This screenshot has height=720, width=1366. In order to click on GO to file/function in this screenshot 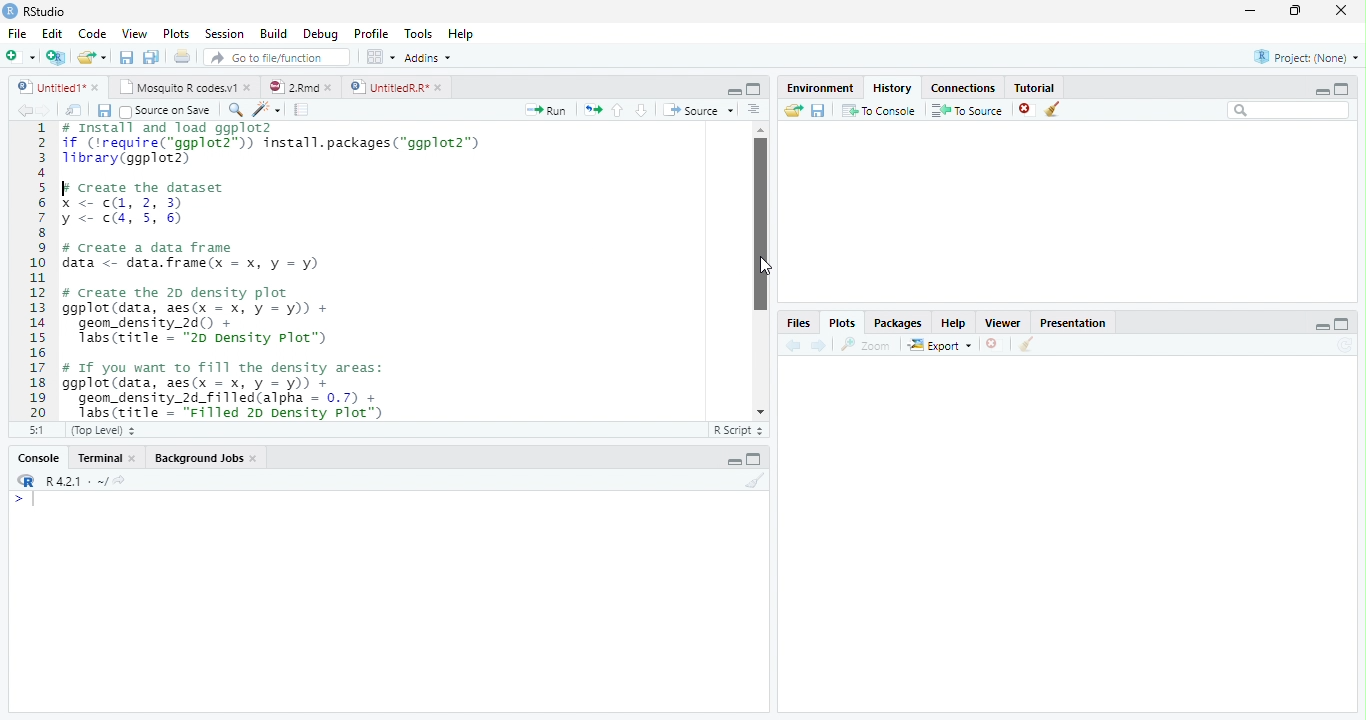, I will do `click(273, 57)`.